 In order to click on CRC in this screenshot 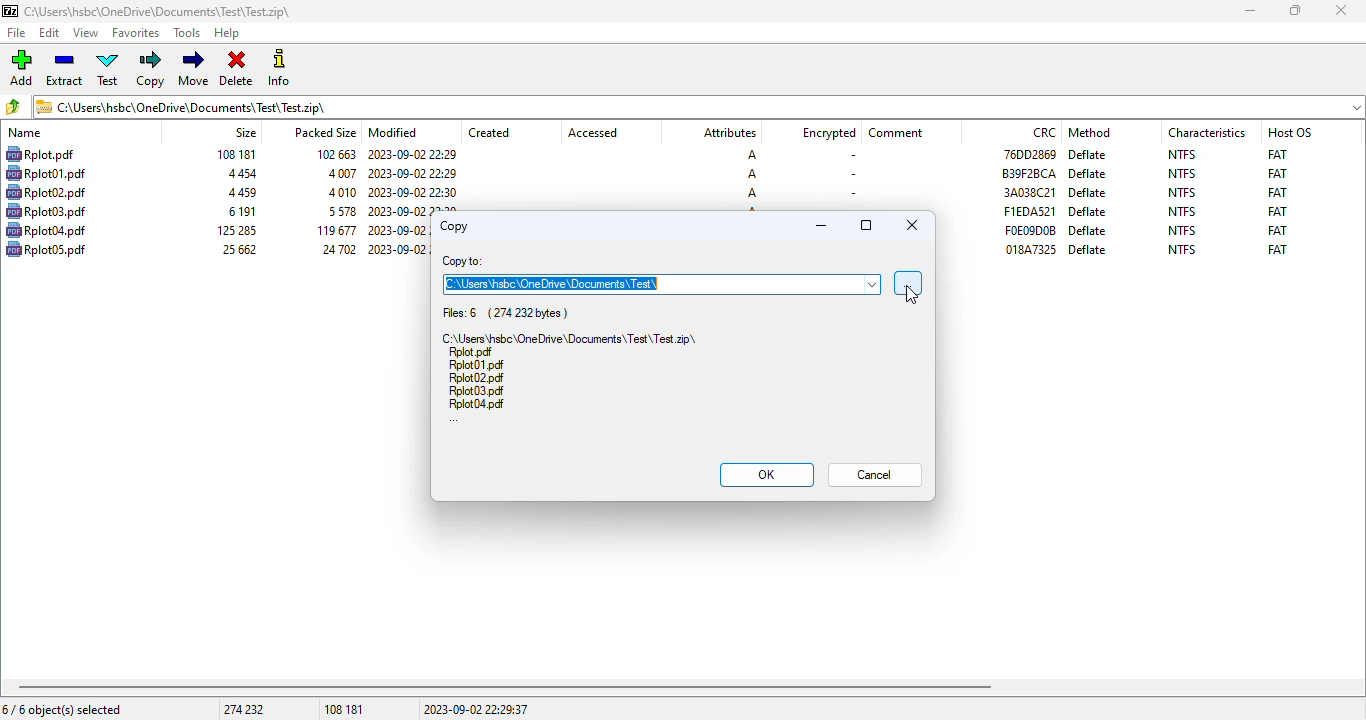, I will do `click(1029, 211)`.